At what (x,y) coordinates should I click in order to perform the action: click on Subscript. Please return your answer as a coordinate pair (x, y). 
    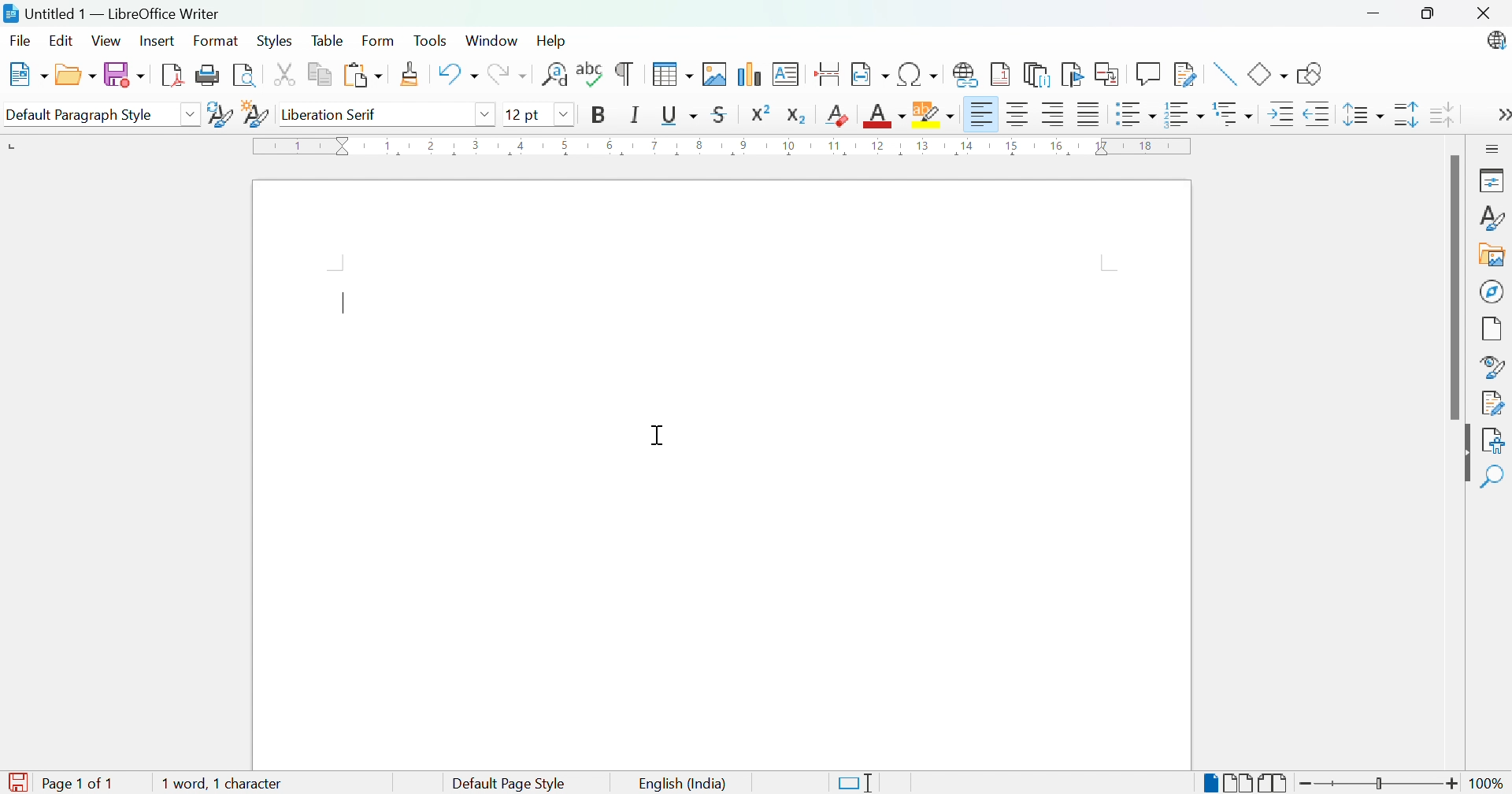
    Looking at the image, I should click on (798, 117).